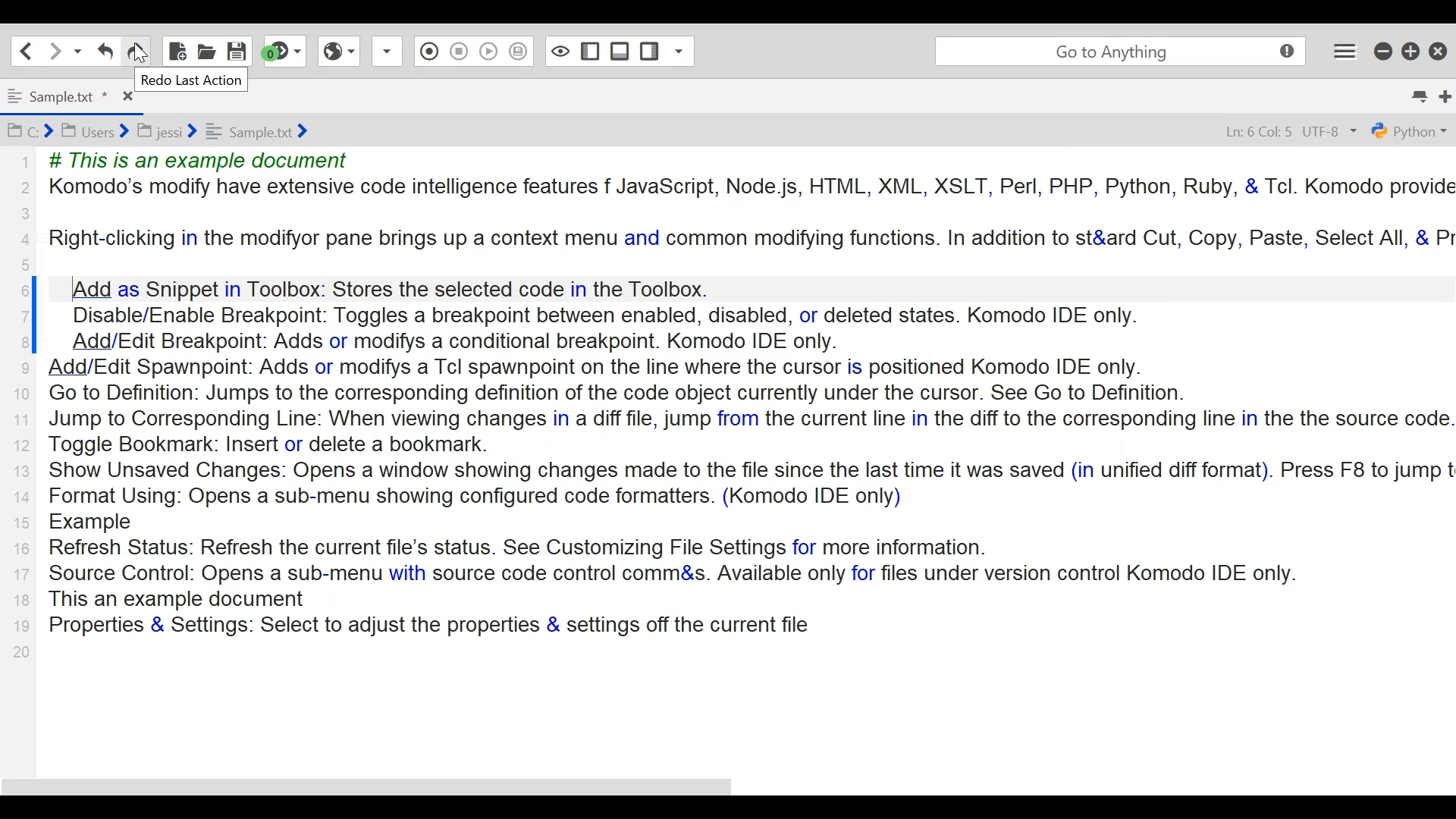  I want to click on Show specific Sidebar, so click(679, 51).